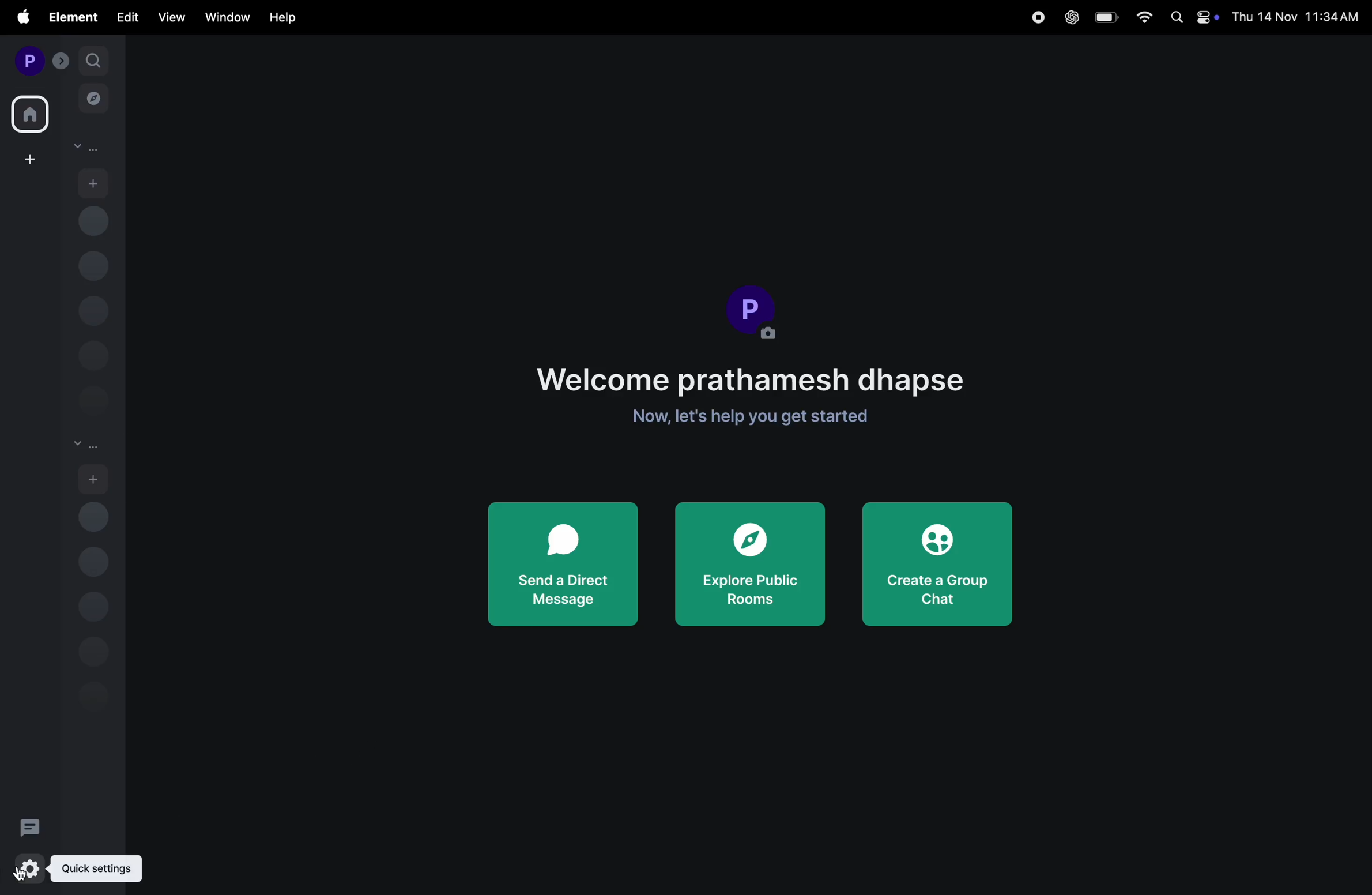  What do you see at coordinates (94, 182) in the screenshot?
I see `add` at bounding box center [94, 182].